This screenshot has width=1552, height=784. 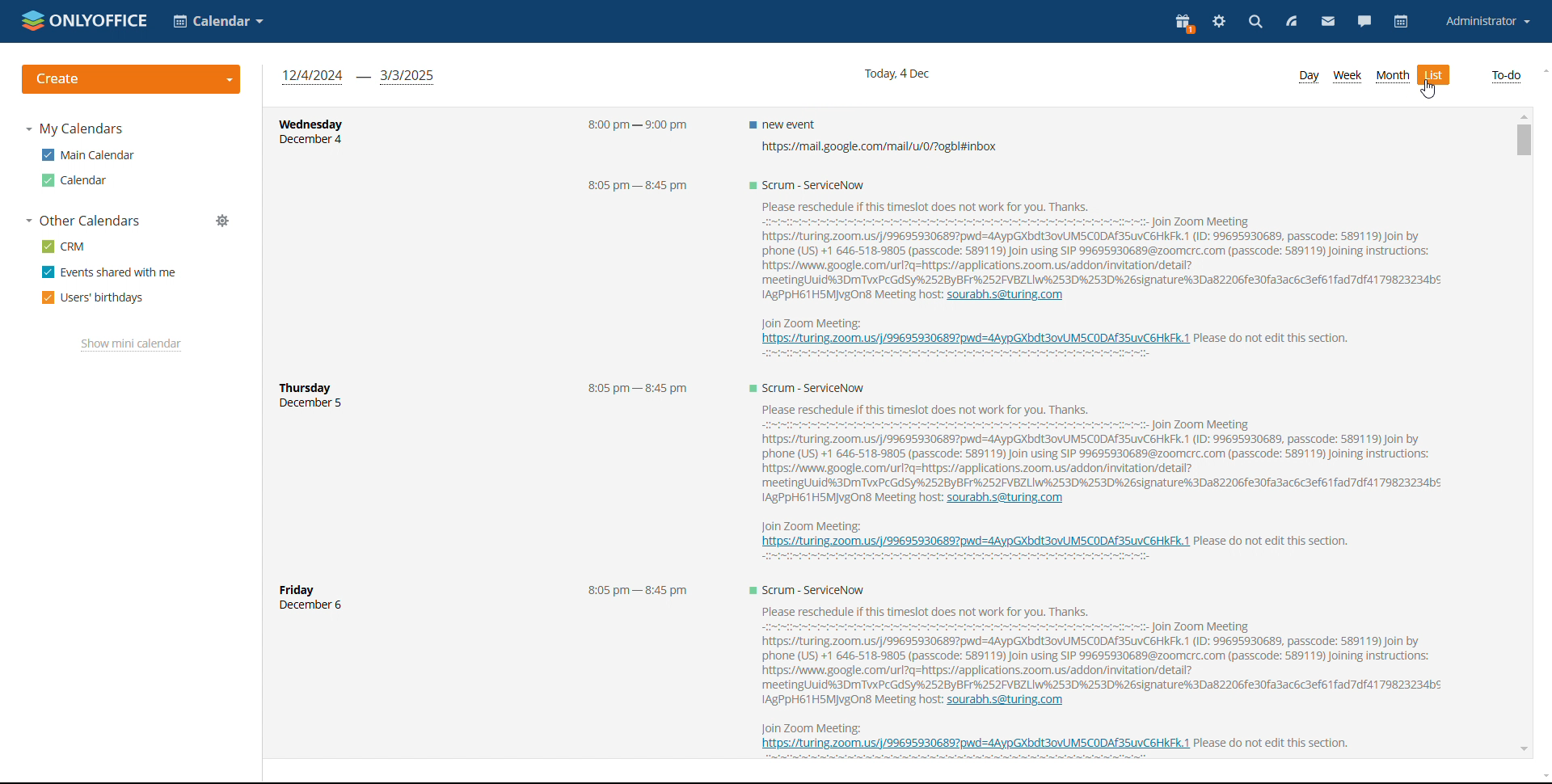 I want to click on show mini calendar, so click(x=130, y=345).